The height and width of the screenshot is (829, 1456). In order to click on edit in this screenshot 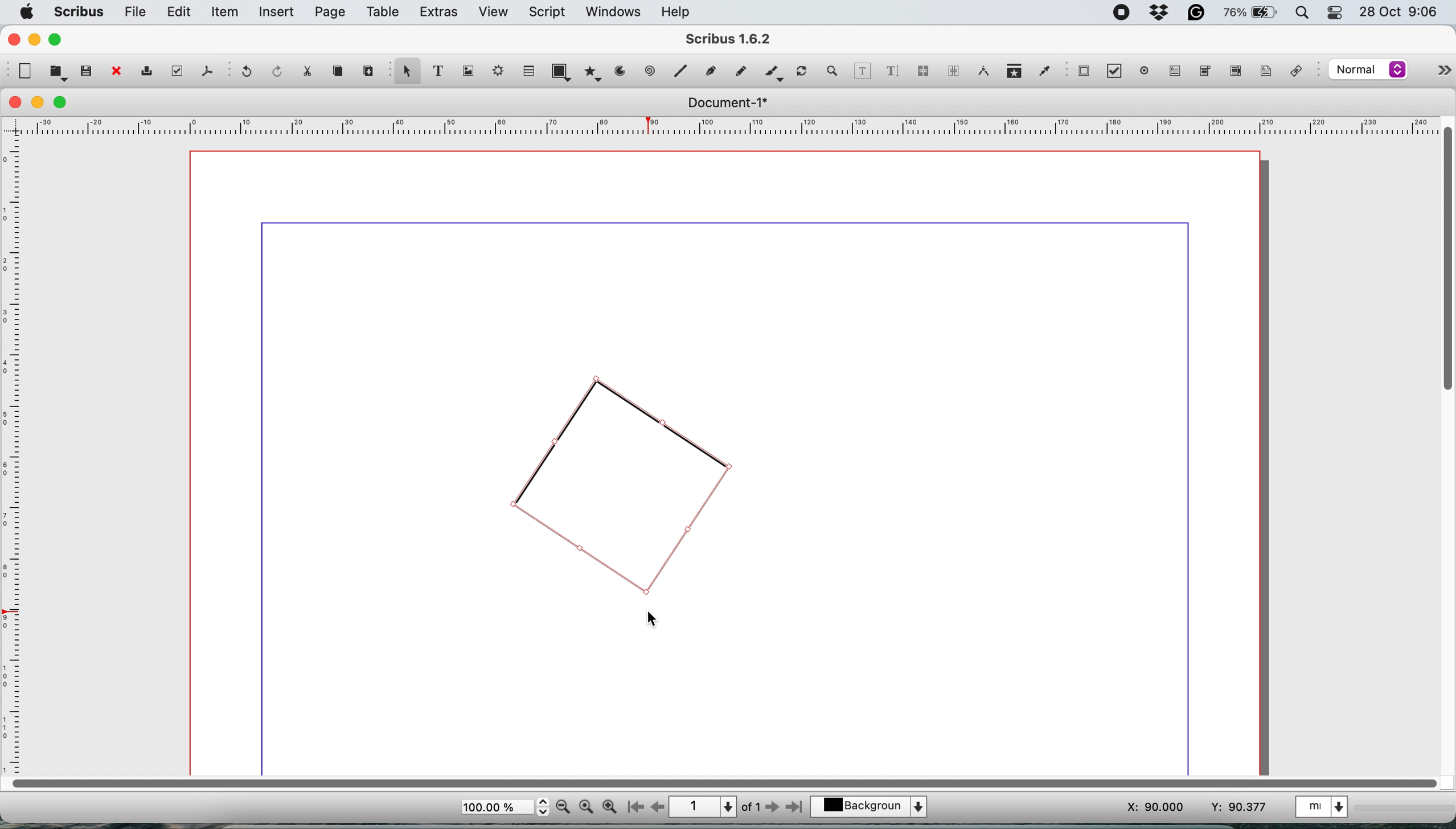, I will do `click(181, 13)`.